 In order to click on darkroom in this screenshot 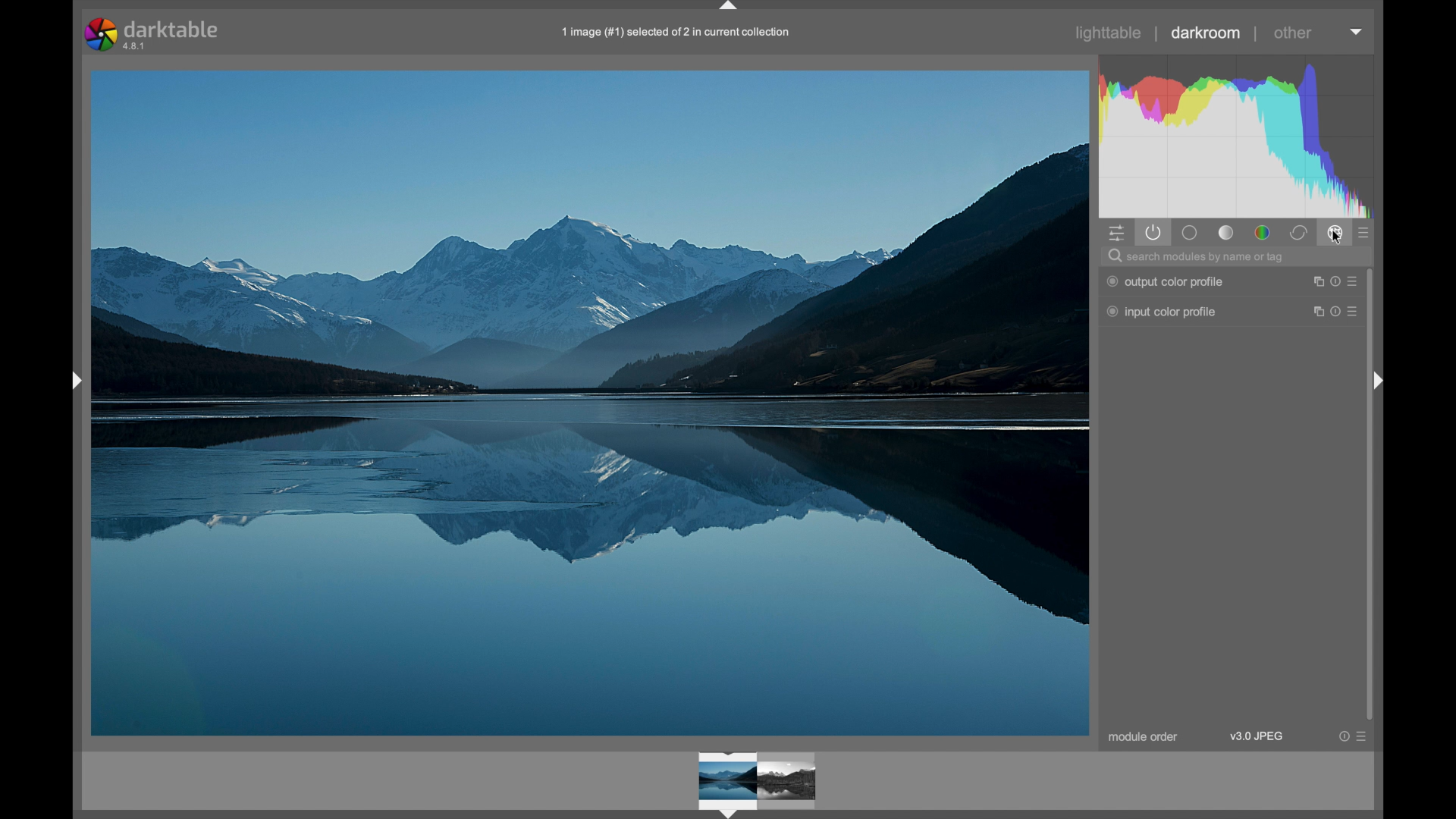, I will do `click(1206, 33)`.